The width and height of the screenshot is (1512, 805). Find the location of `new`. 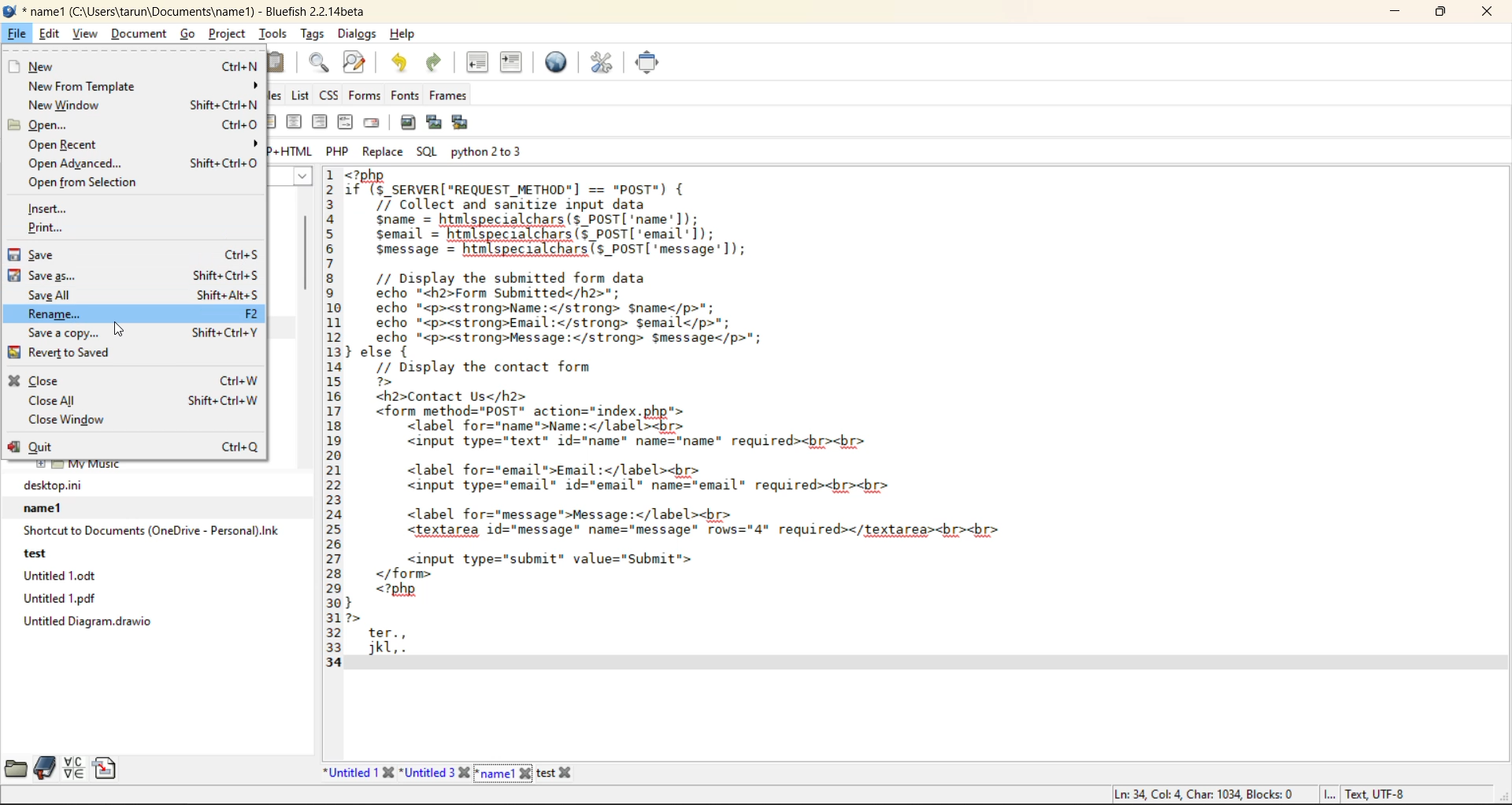

new is located at coordinates (131, 66).